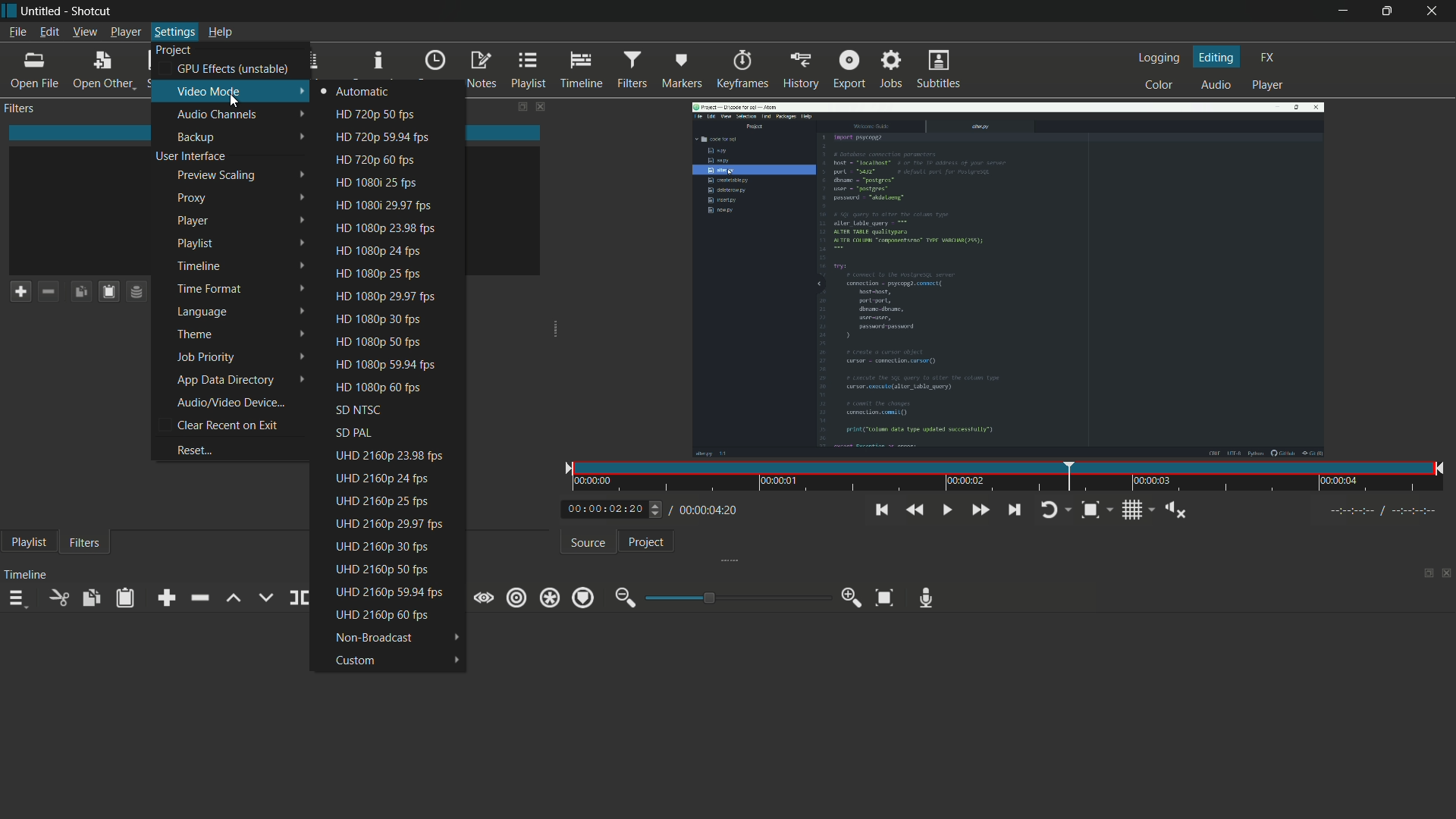 This screenshot has height=819, width=1456. Describe the element at coordinates (124, 33) in the screenshot. I see `player menu` at that location.